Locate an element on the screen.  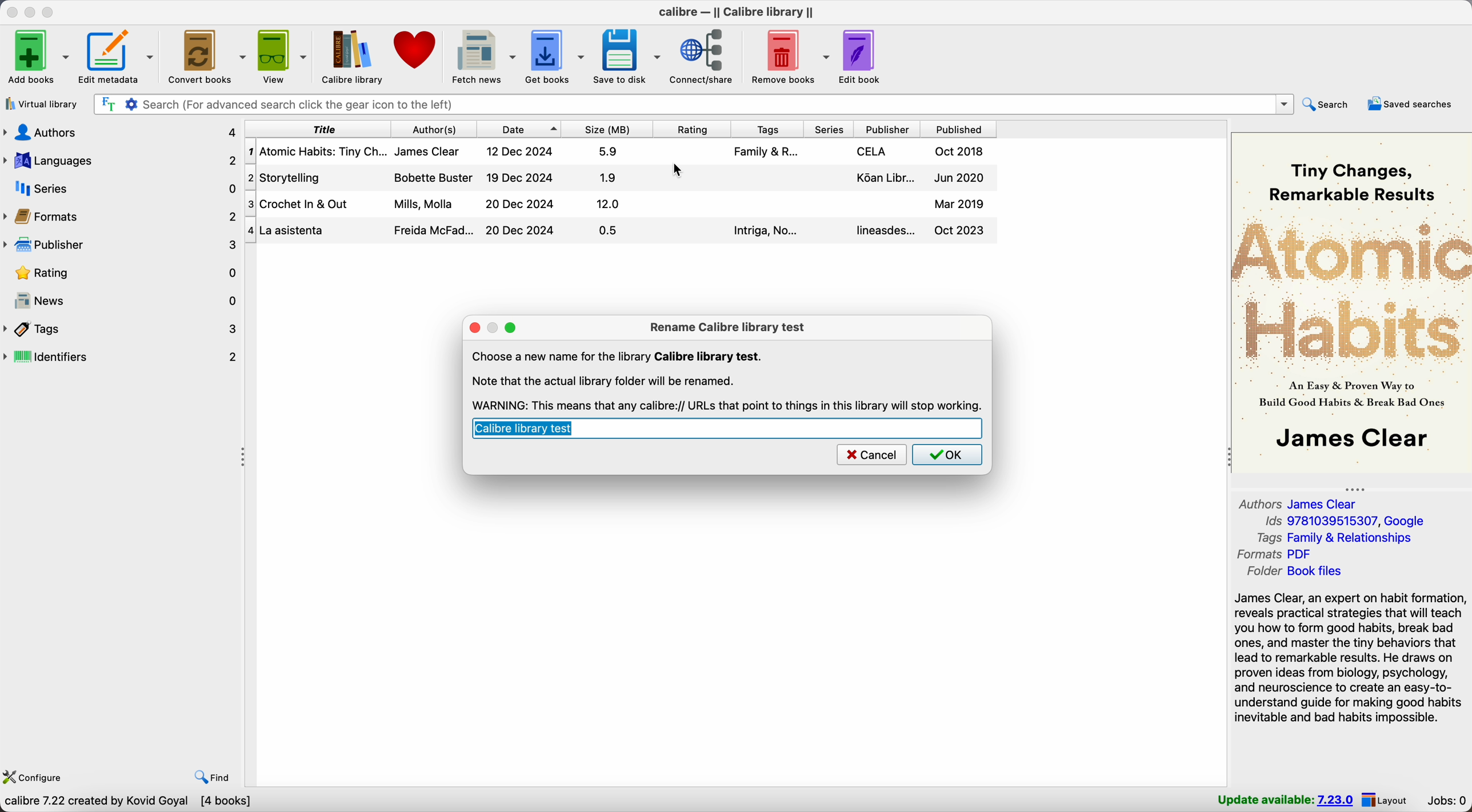
minimize Calibre is located at coordinates (30, 13).